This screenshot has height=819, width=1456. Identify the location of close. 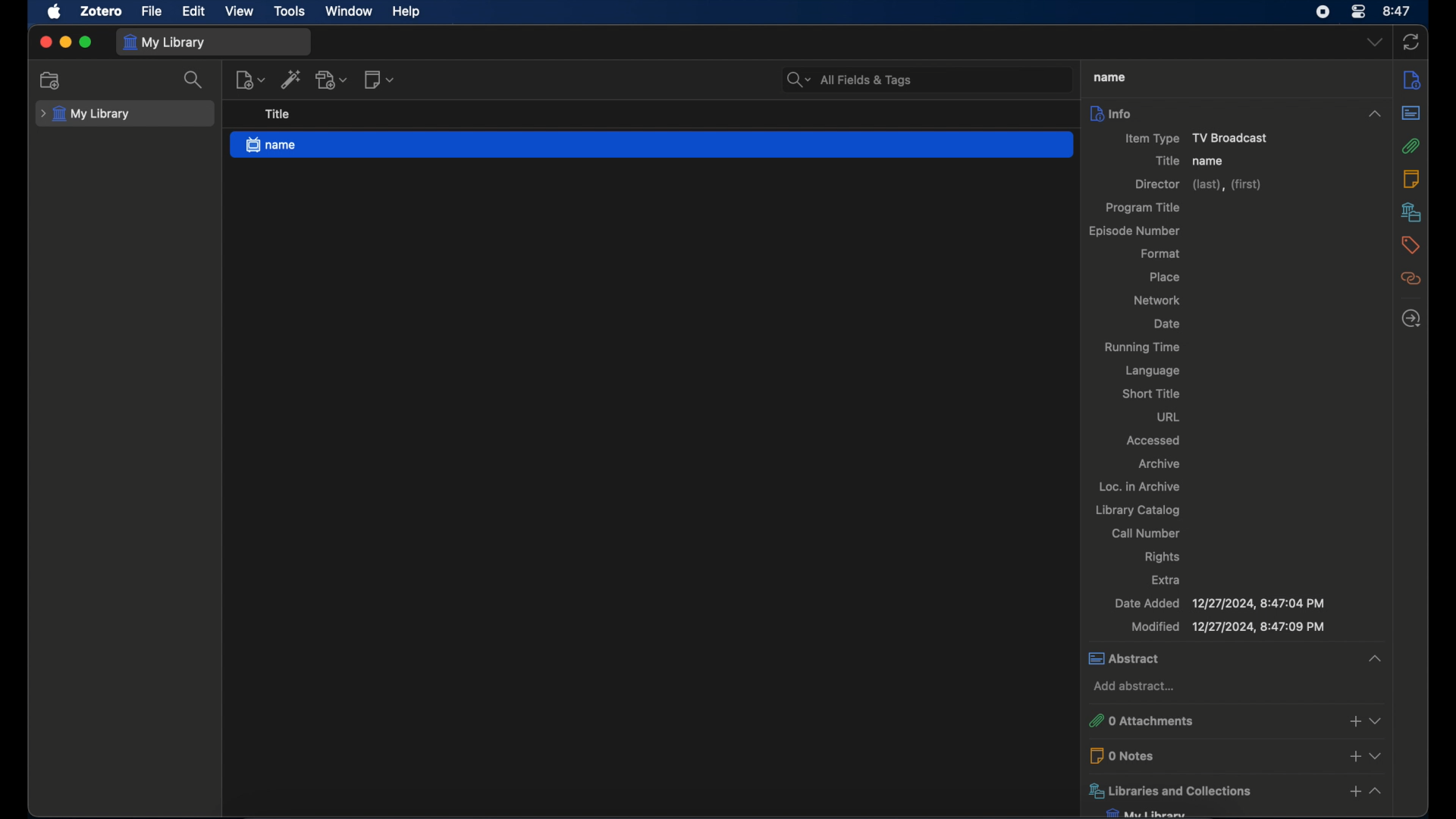
(45, 42).